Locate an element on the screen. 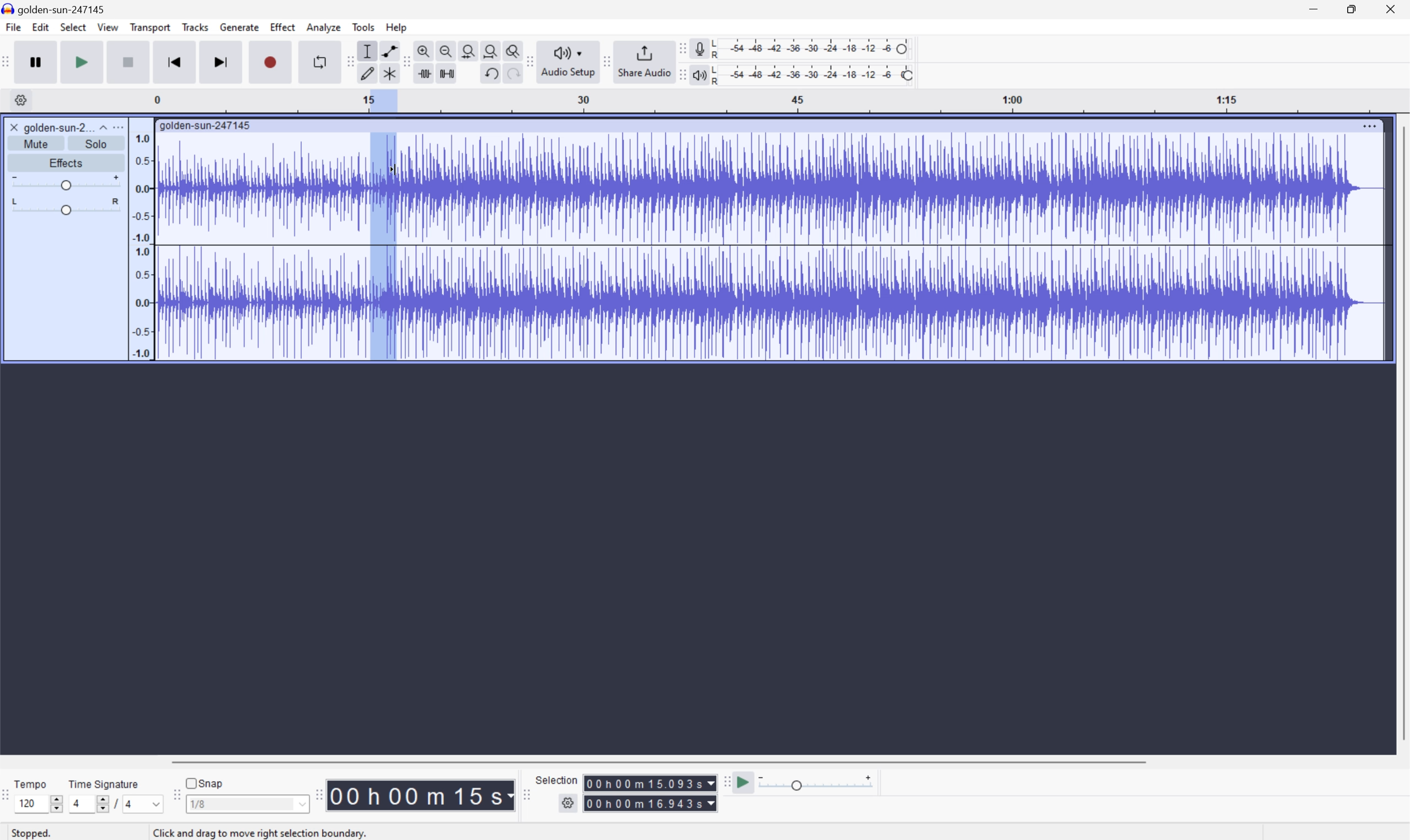 The image size is (1410, 840). Skip to end is located at coordinates (222, 62).